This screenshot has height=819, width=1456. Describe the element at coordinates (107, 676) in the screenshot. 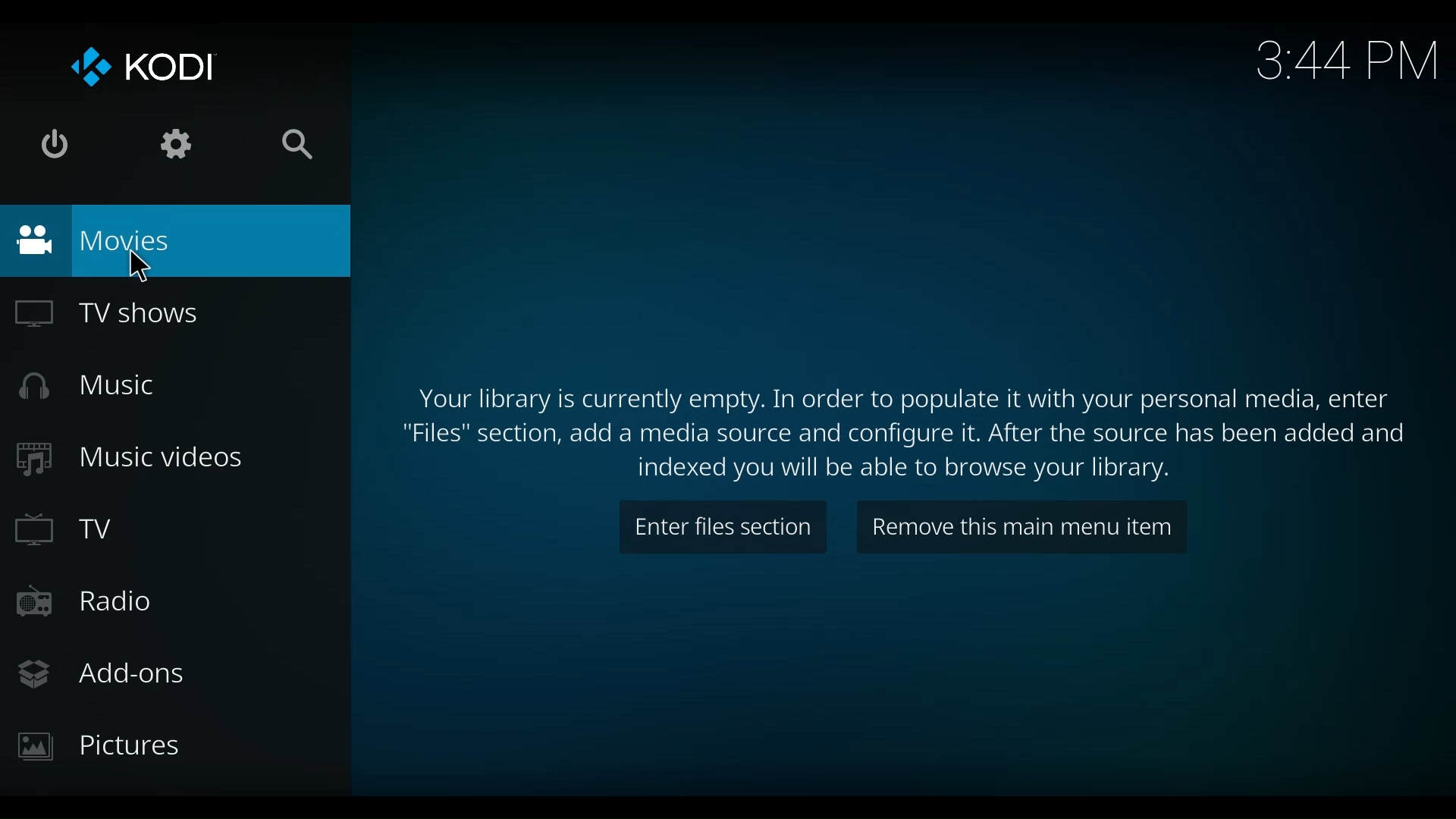

I see `Add-ons` at that location.